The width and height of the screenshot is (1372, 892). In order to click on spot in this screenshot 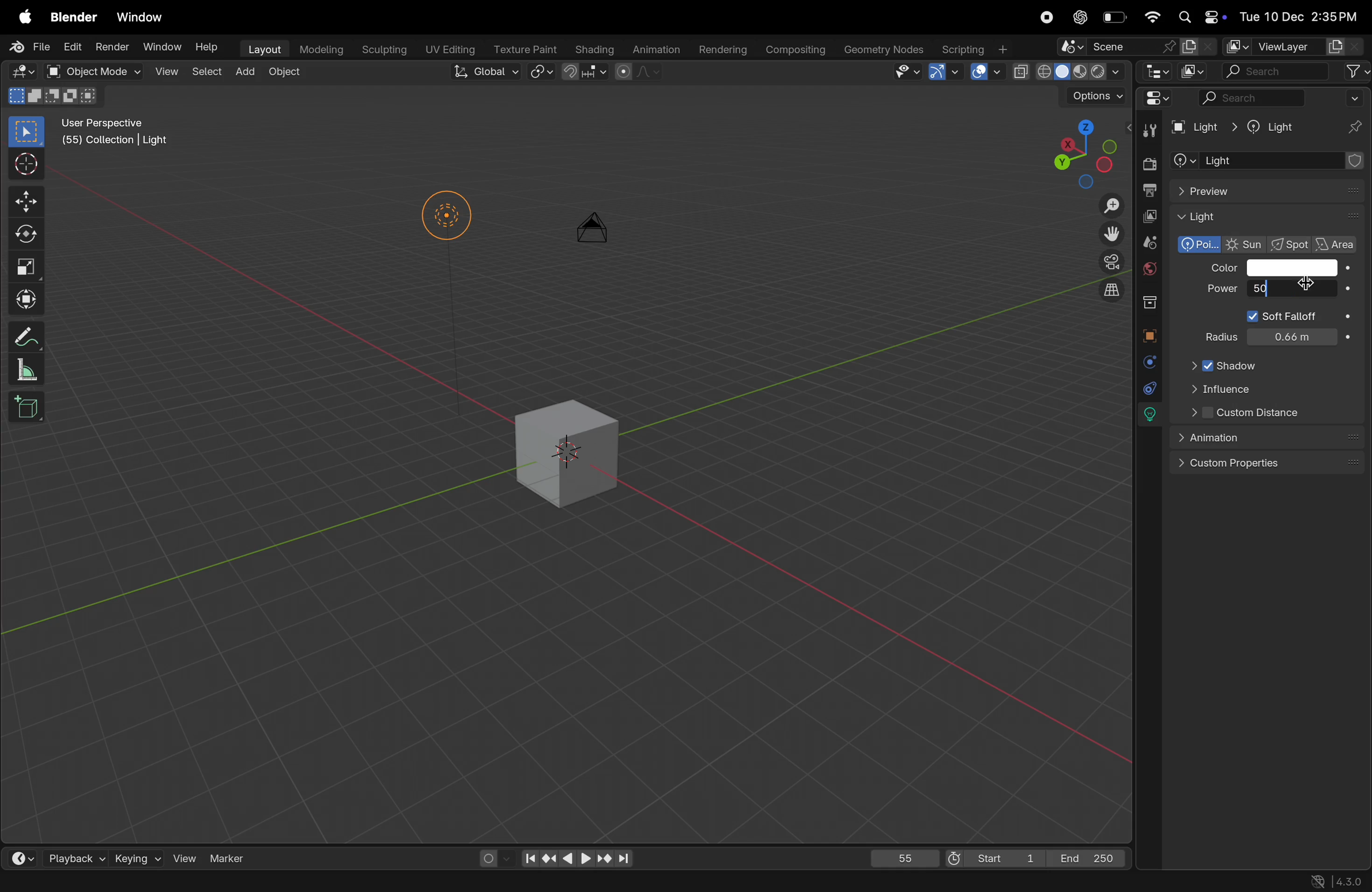, I will do `click(1292, 245)`.